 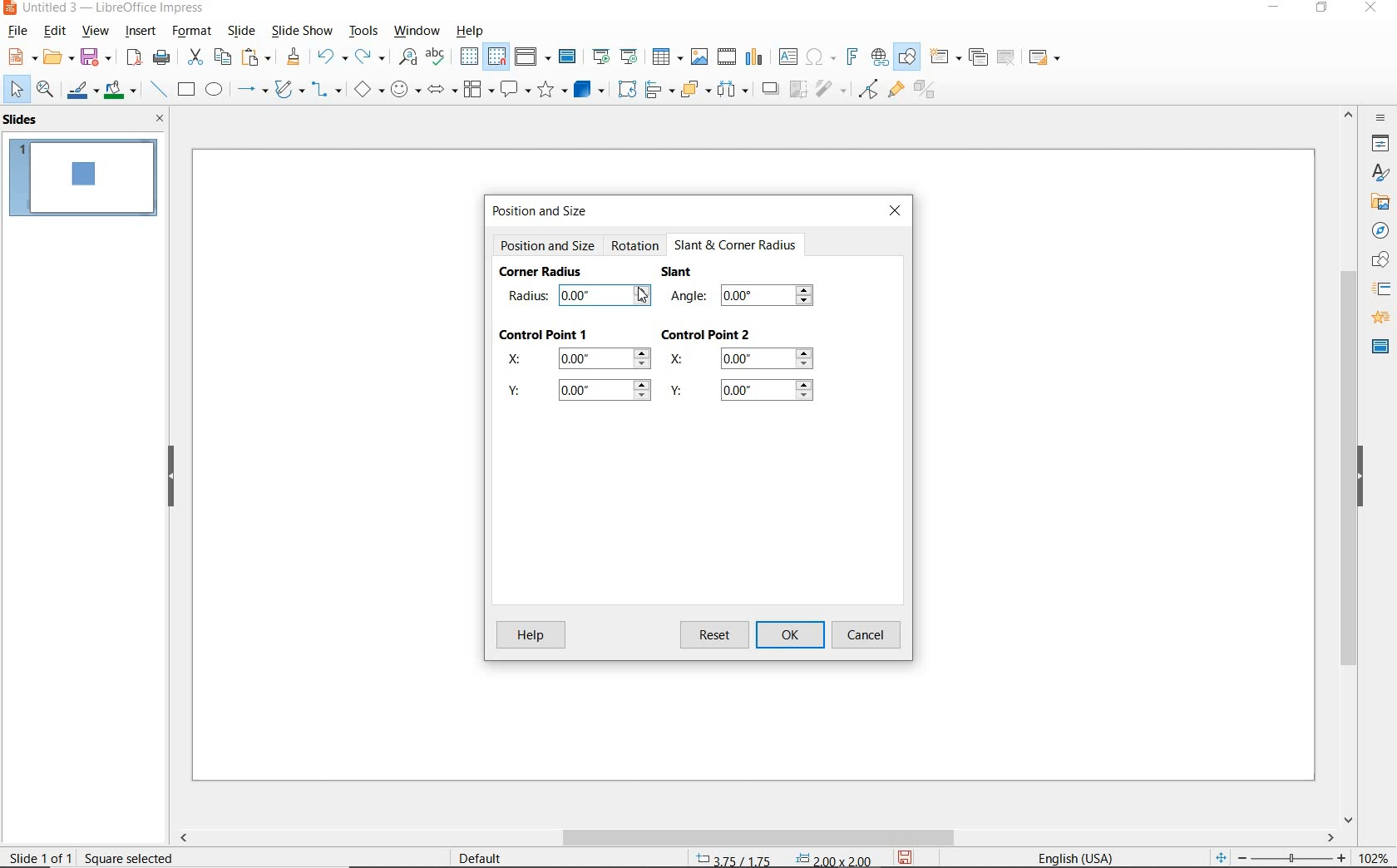 I want to click on block arrows, so click(x=442, y=91).